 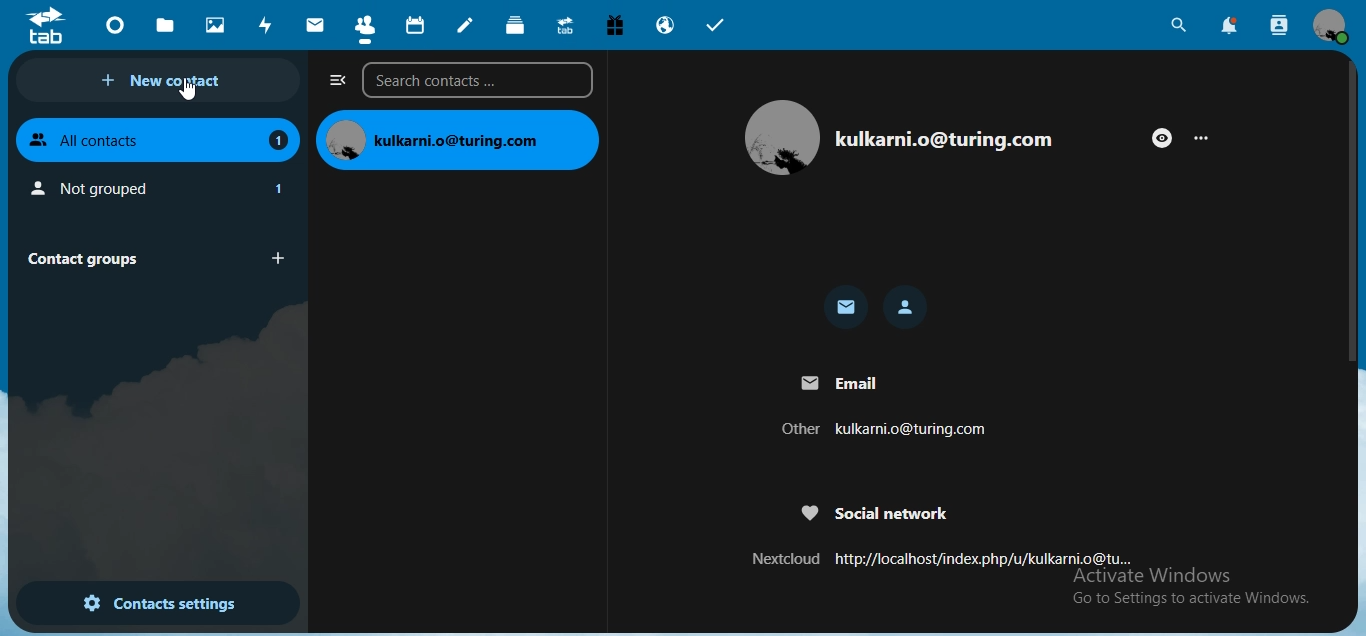 I want to click on search, so click(x=1180, y=25).